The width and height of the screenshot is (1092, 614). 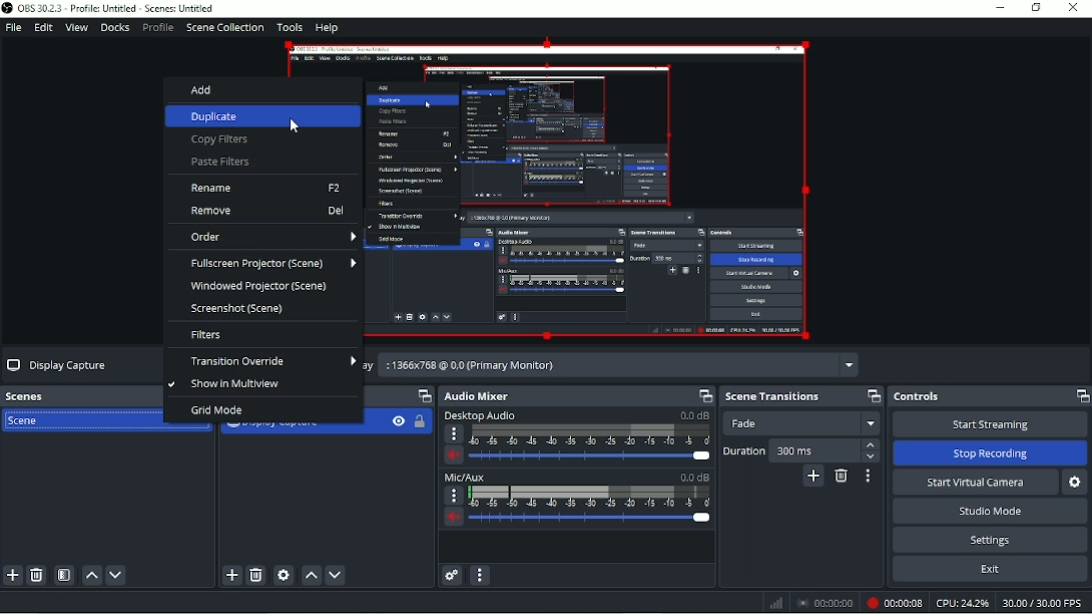 I want to click on Mic/Aux, so click(x=466, y=478).